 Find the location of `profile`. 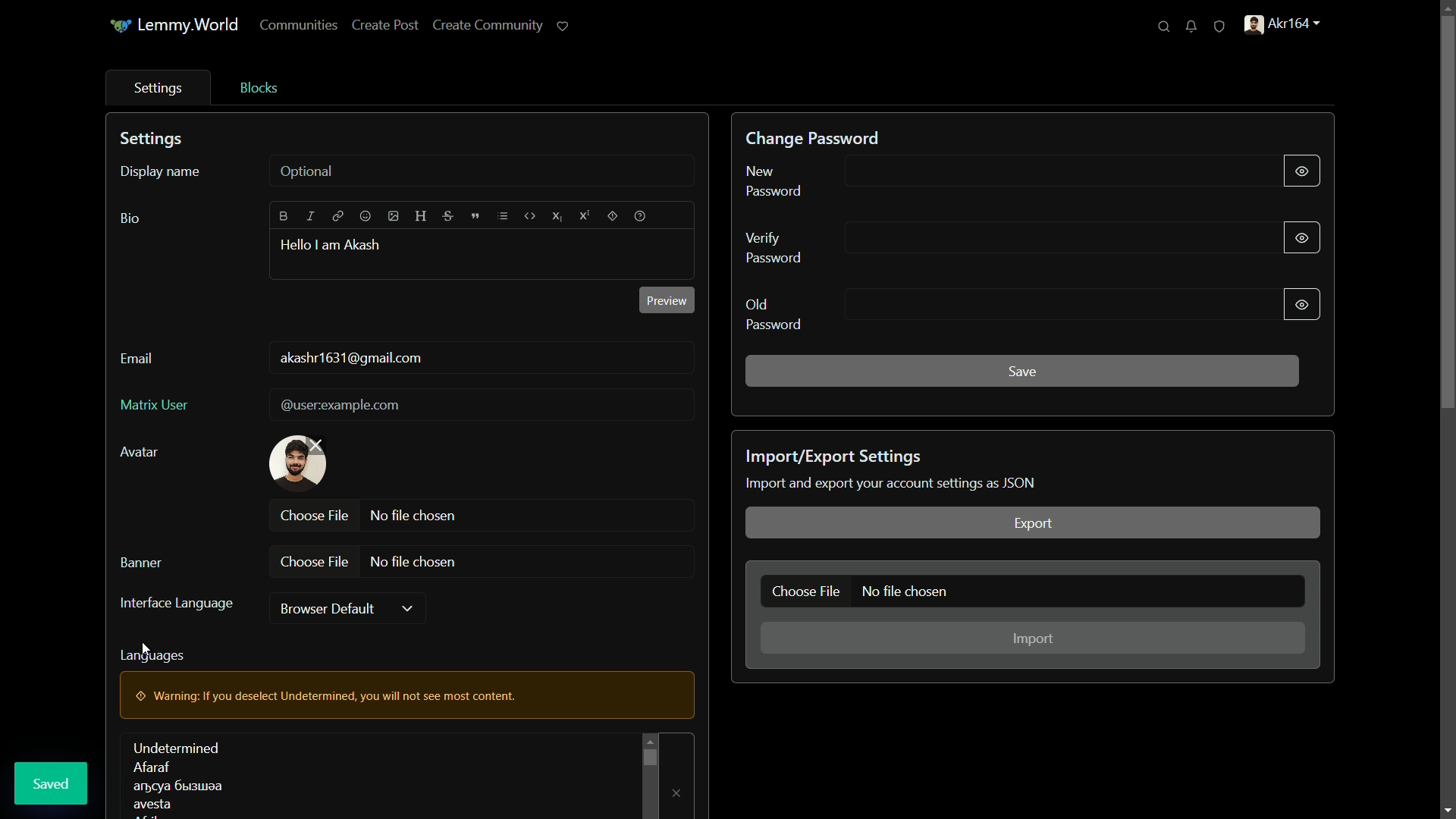

profile is located at coordinates (1284, 25).